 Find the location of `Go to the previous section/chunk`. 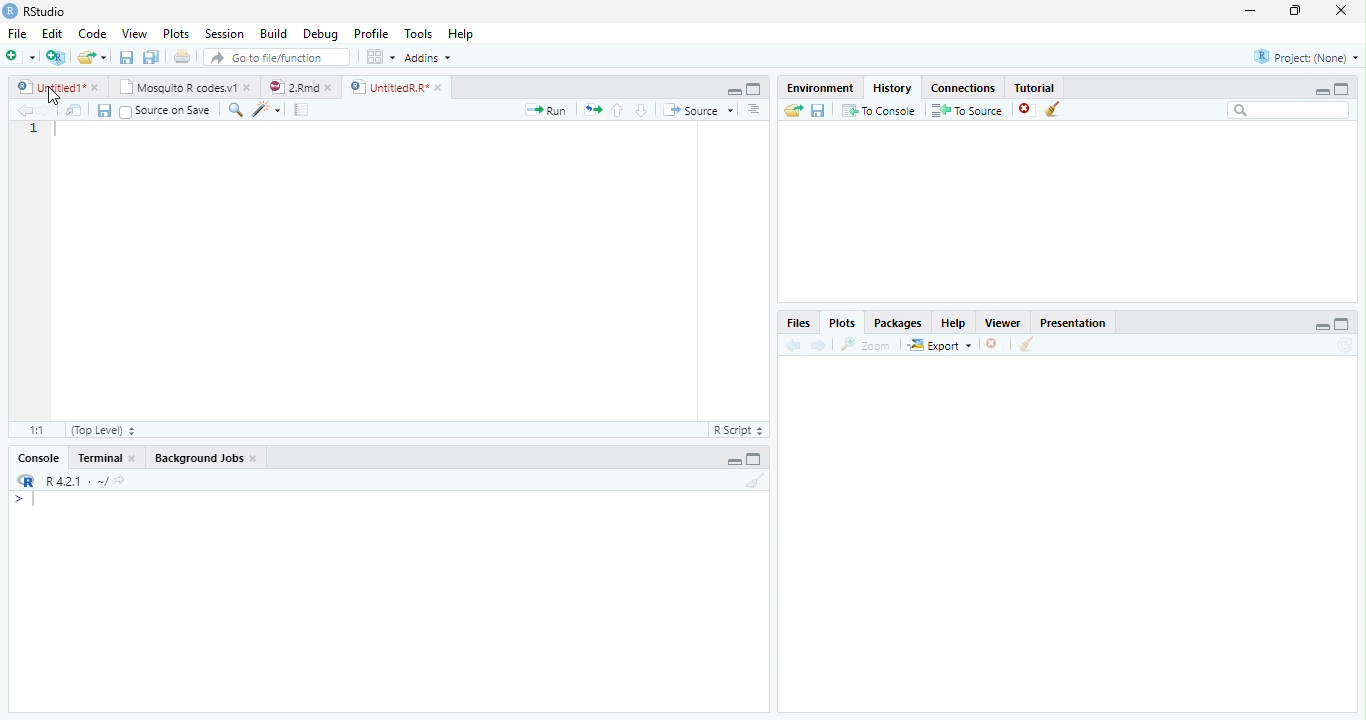

Go to the previous section/chunk is located at coordinates (618, 114).